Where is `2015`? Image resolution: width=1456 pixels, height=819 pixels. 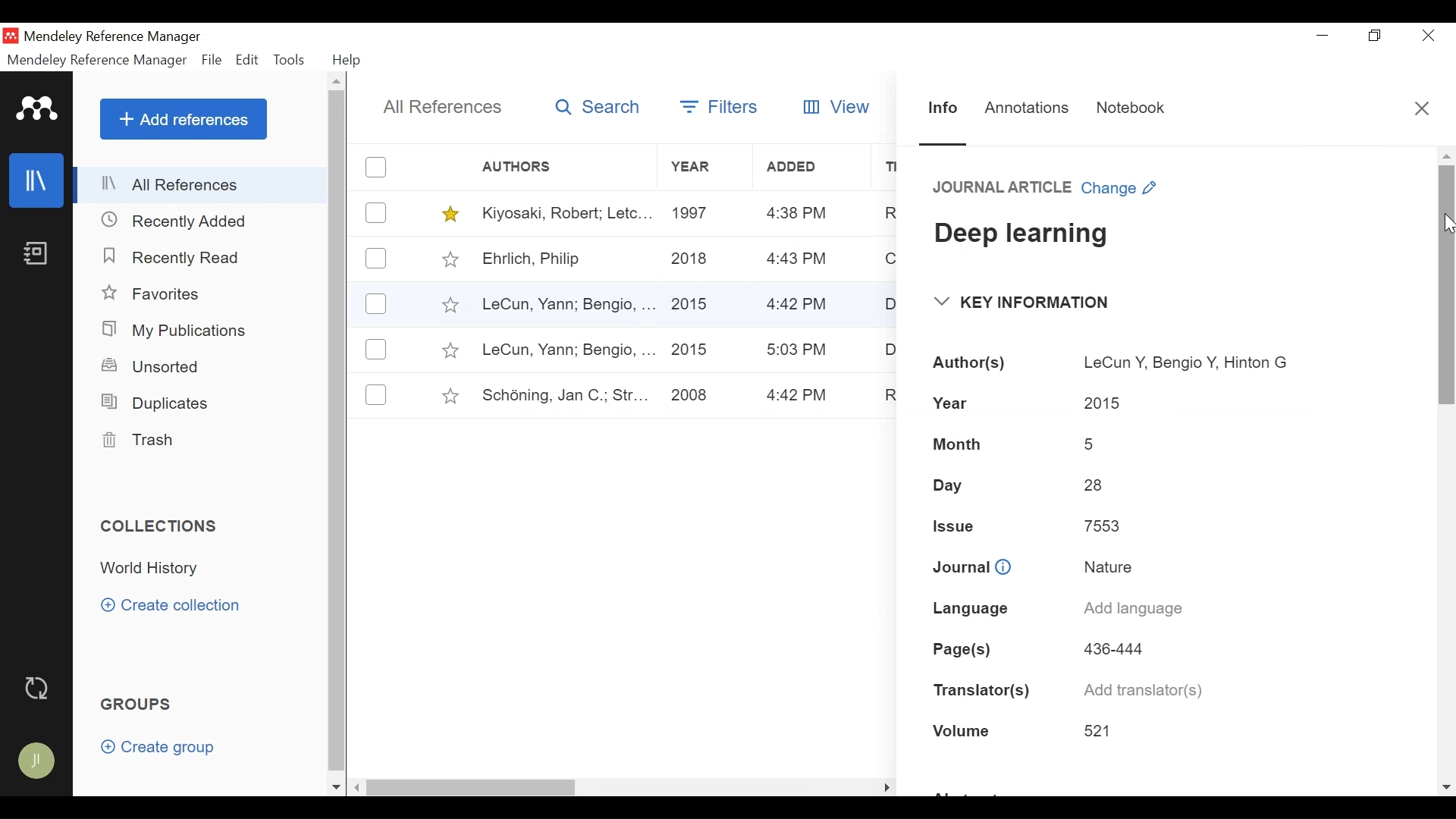
2015 is located at coordinates (1109, 398).